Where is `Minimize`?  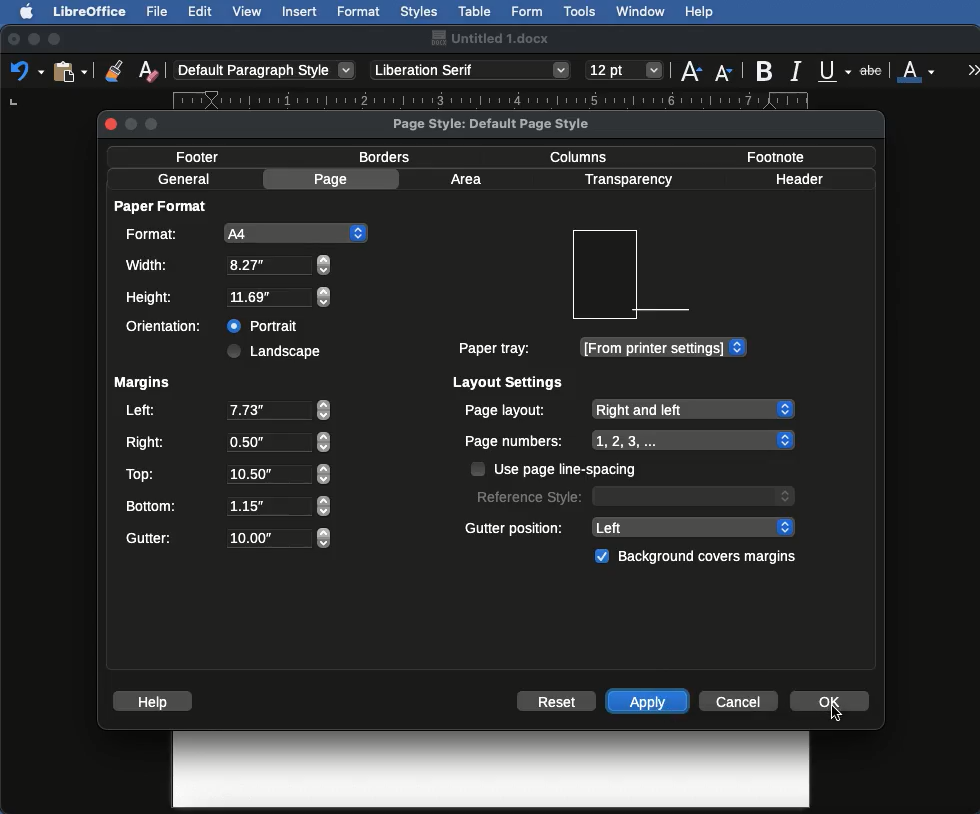
Minimize is located at coordinates (33, 39).